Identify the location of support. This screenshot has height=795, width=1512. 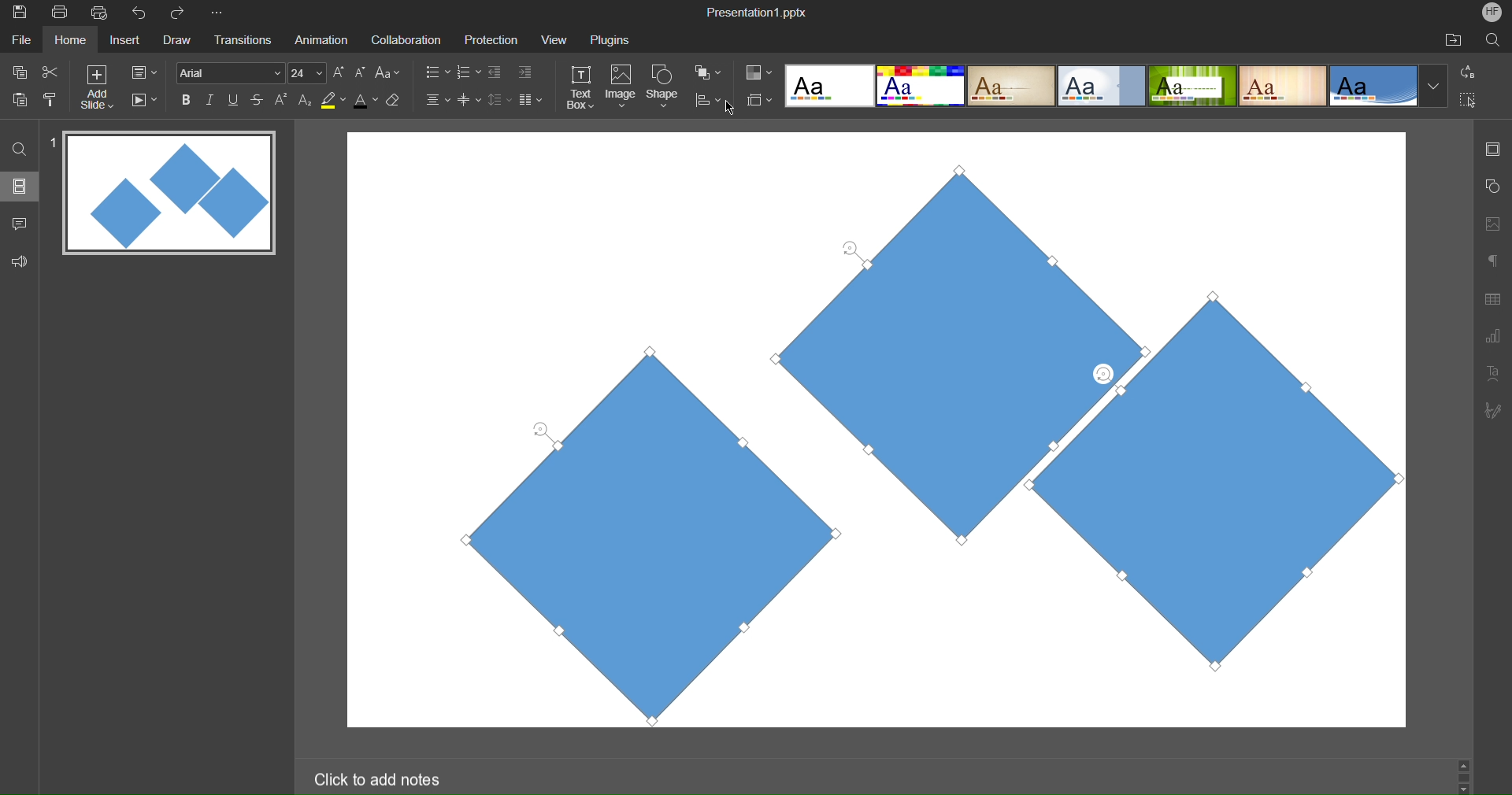
(24, 260).